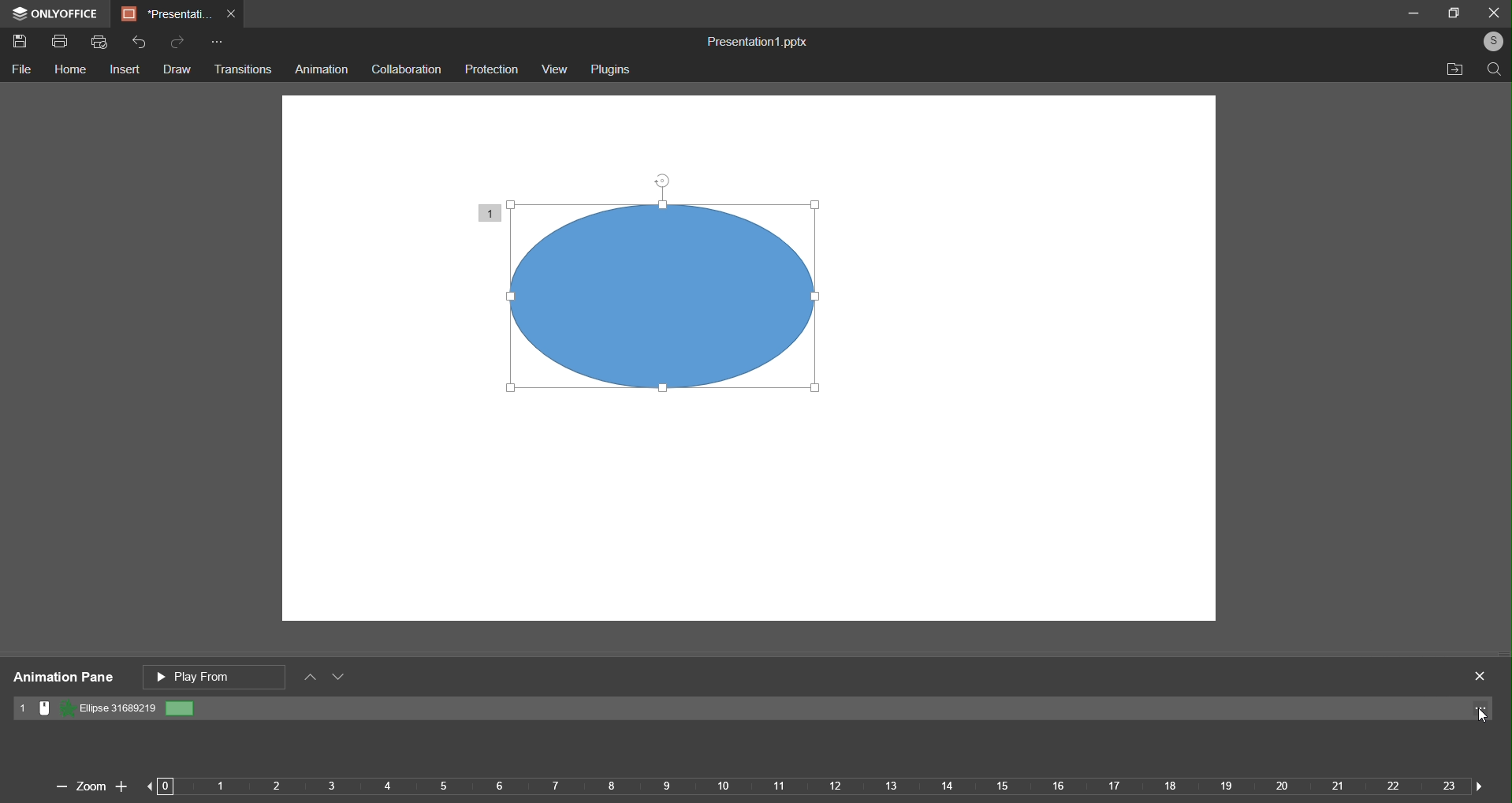  Describe the element at coordinates (69, 71) in the screenshot. I see `Home` at that location.